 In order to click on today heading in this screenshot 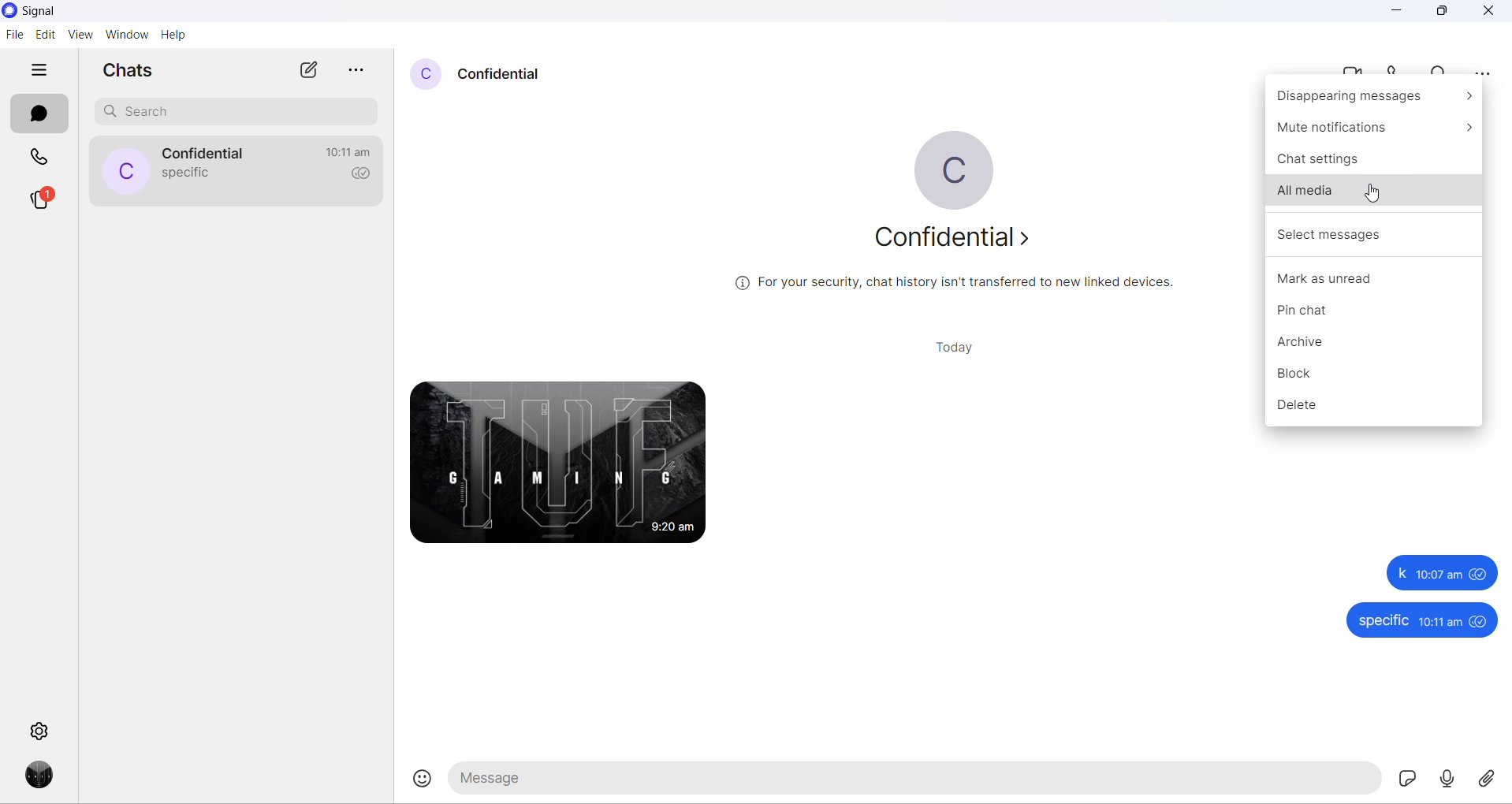, I will do `click(954, 345)`.